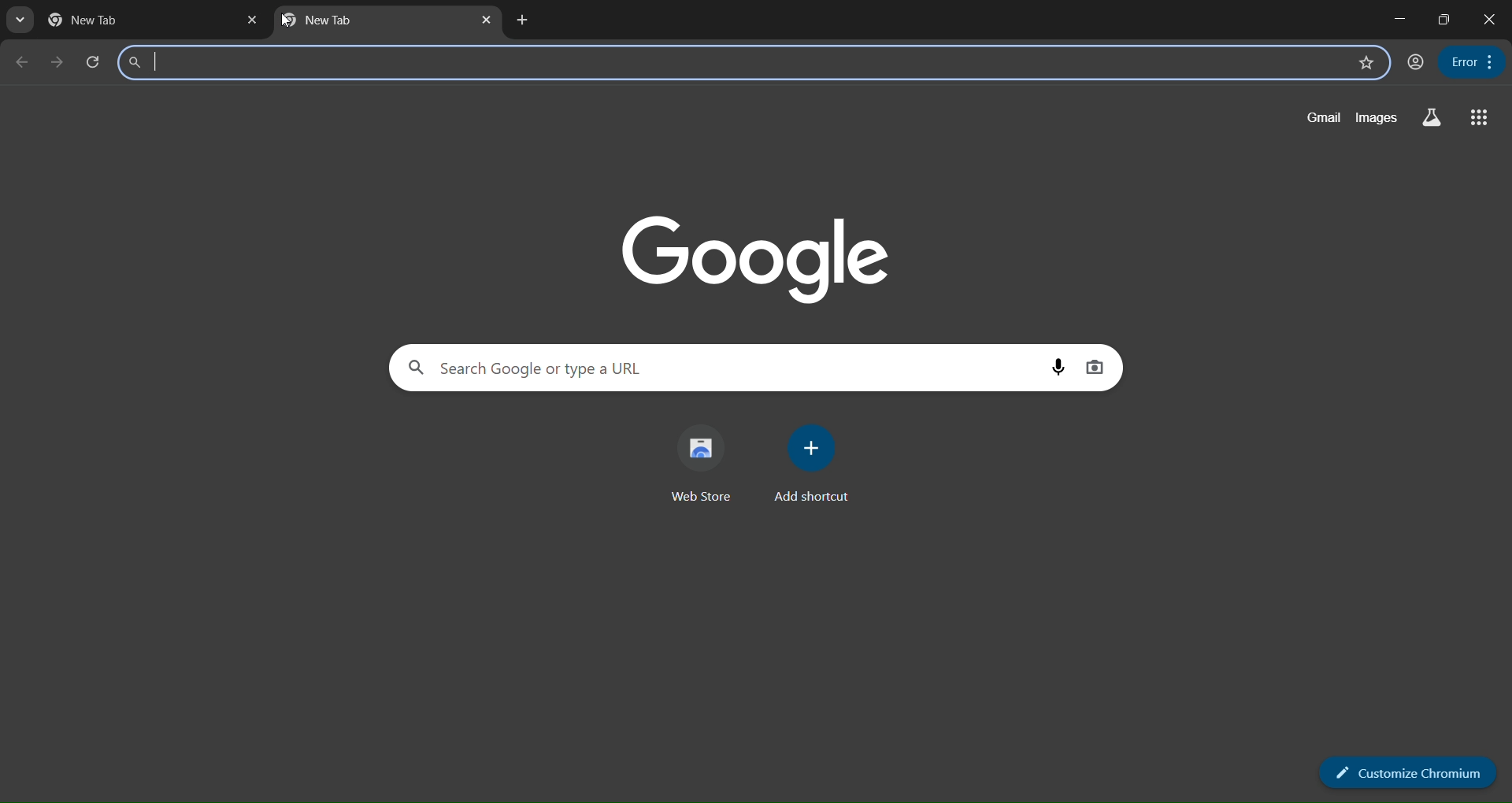 The width and height of the screenshot is (1512, 803). What do you see at coordinates (526, 20) in the screenshot?
I see `add tab` at bounding box center [526, 20].